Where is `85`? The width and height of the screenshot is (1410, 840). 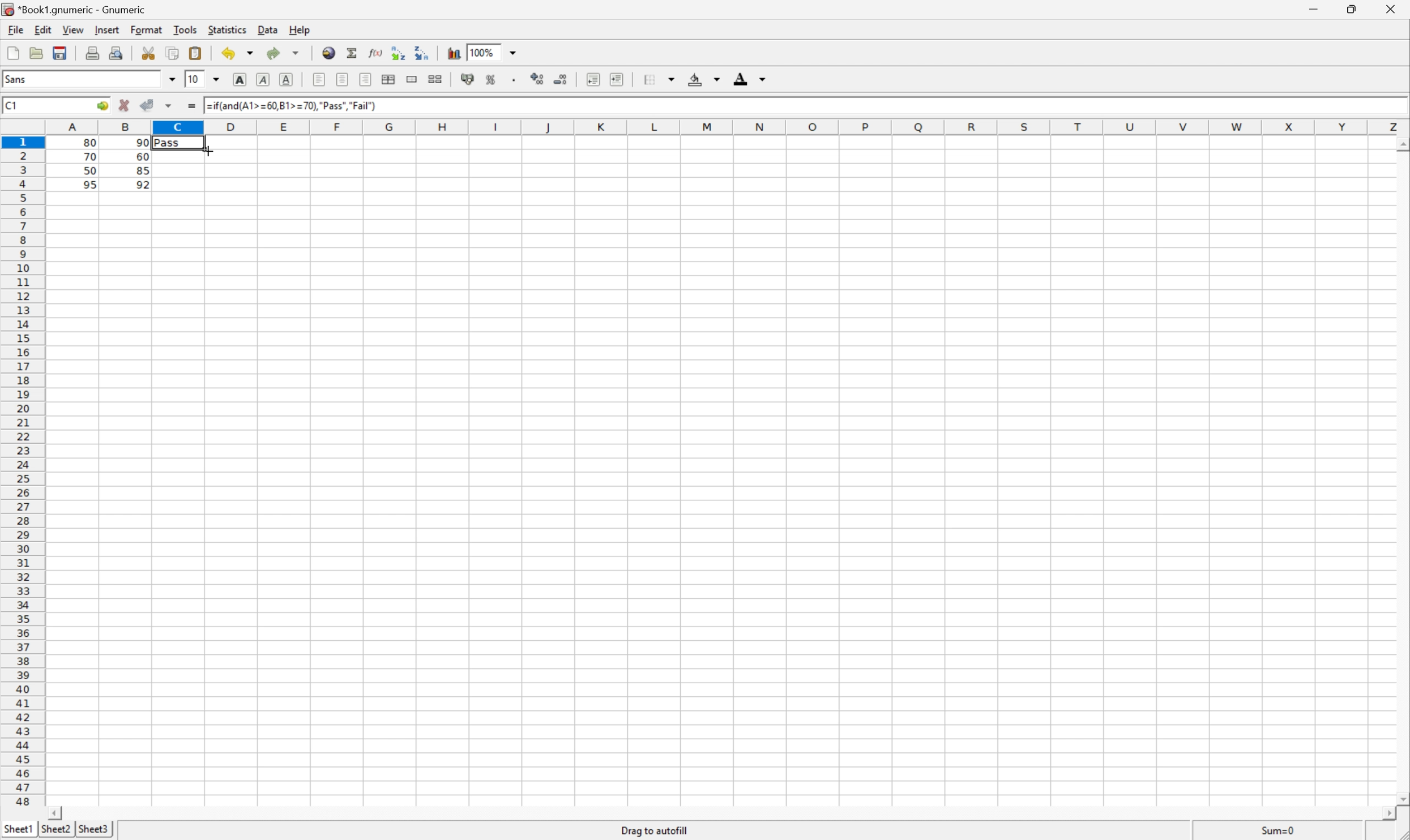 85 is located at coordinates (142, 172).